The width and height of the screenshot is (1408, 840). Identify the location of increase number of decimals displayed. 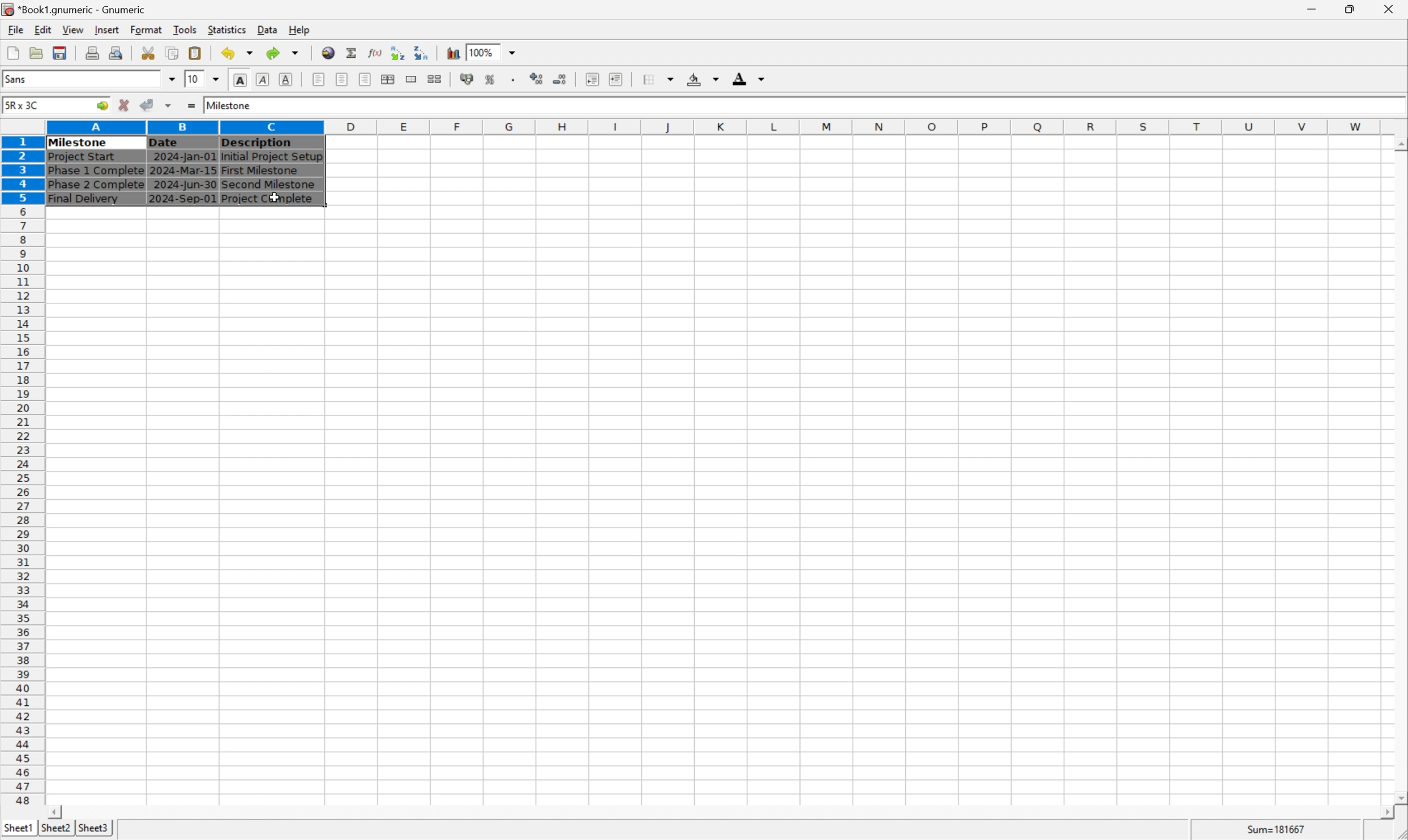
(538, 79).